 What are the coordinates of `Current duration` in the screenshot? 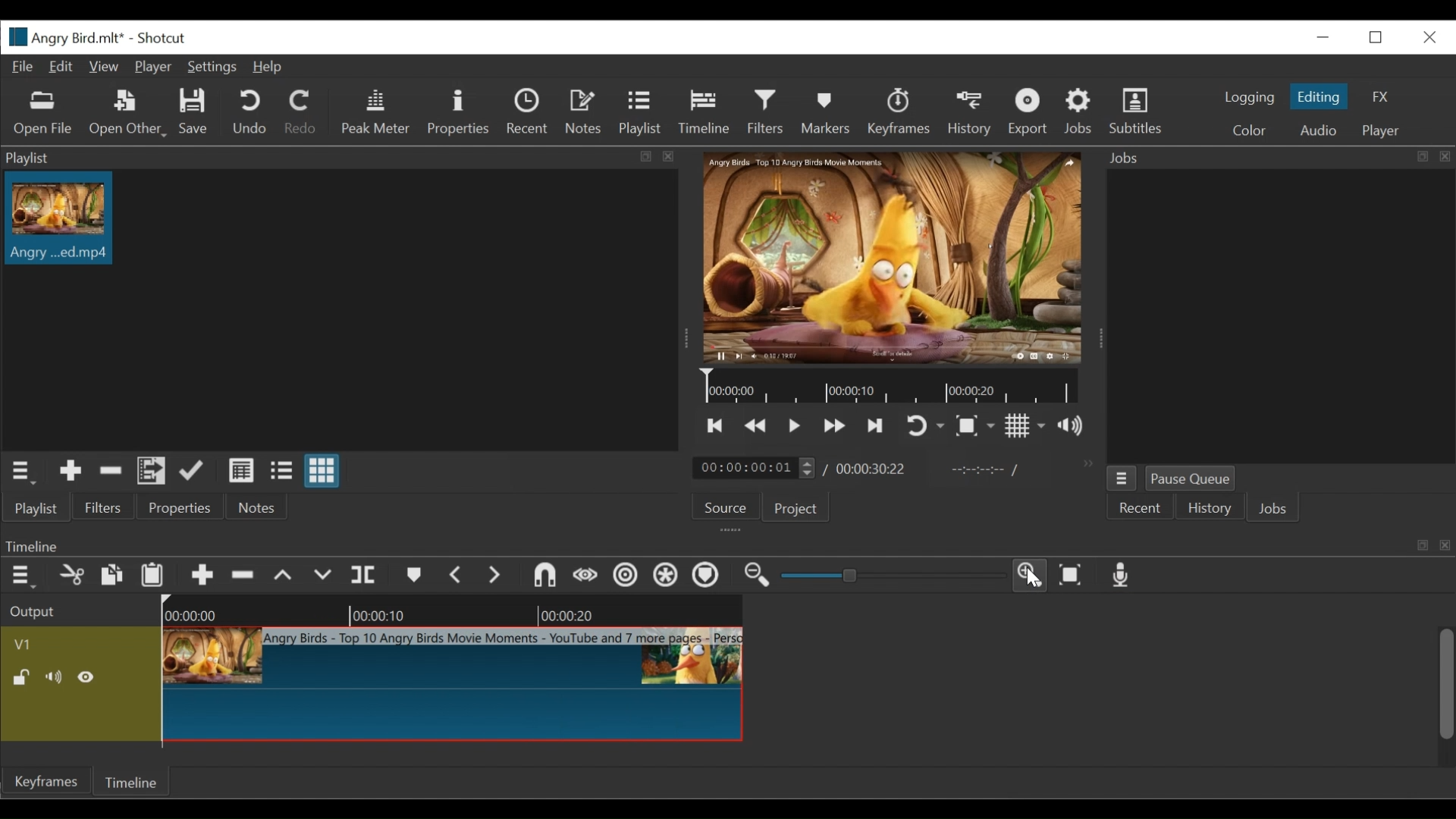 It's located at (755, 469).